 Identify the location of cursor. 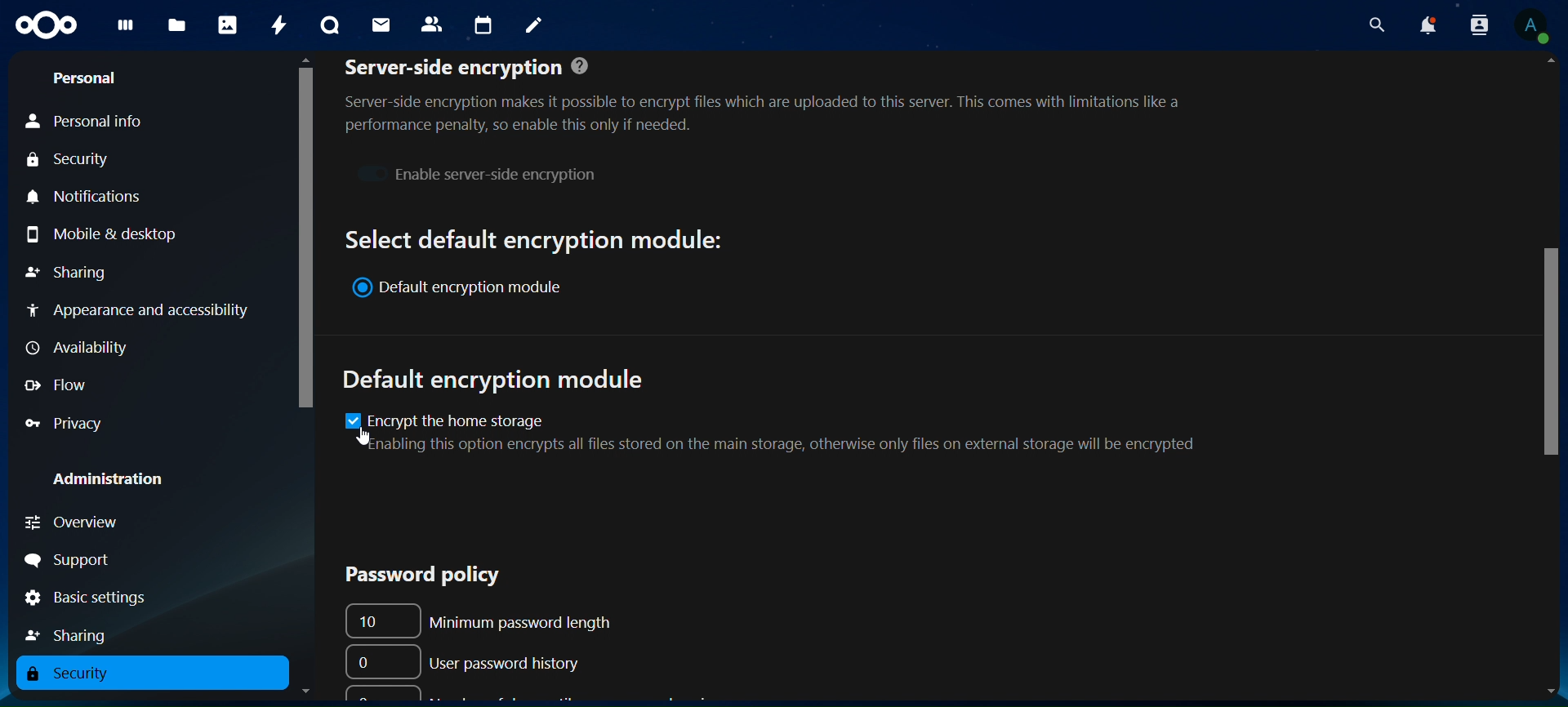
(363, 438).